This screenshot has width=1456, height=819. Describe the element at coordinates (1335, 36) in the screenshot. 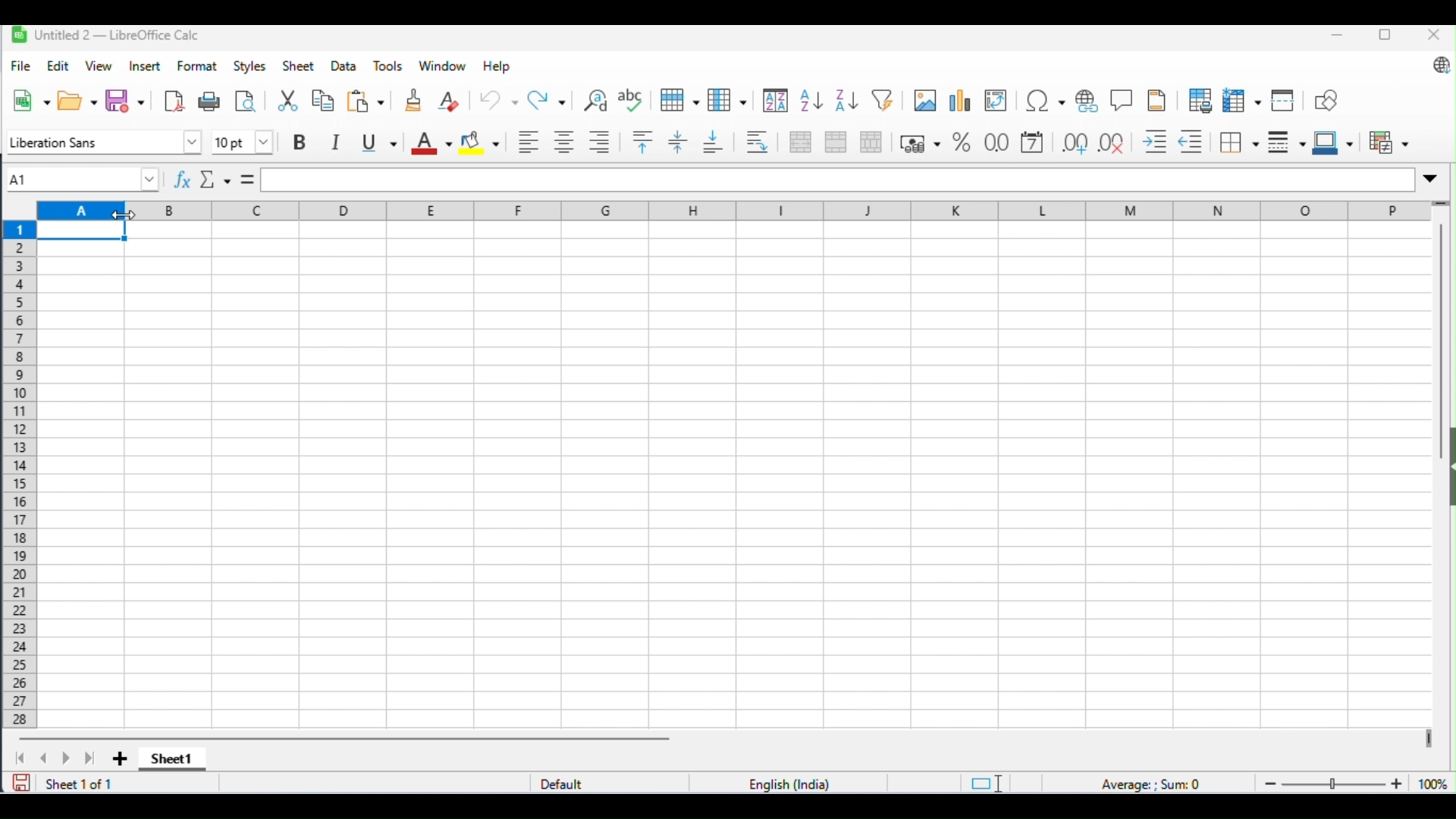

I see `minimize` at that location.